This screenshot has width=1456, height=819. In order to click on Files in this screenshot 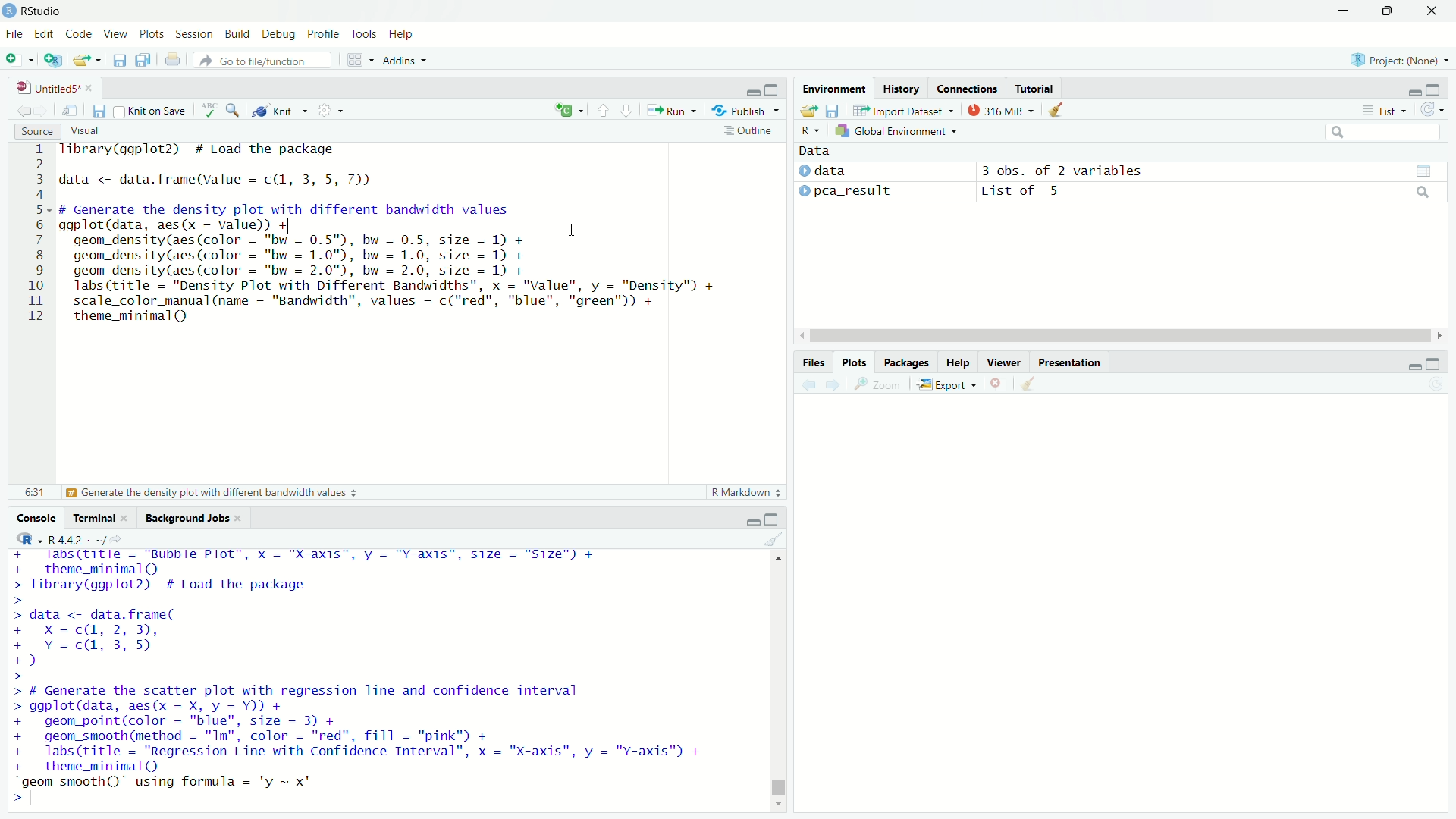, I will do `click(813, 362)`.